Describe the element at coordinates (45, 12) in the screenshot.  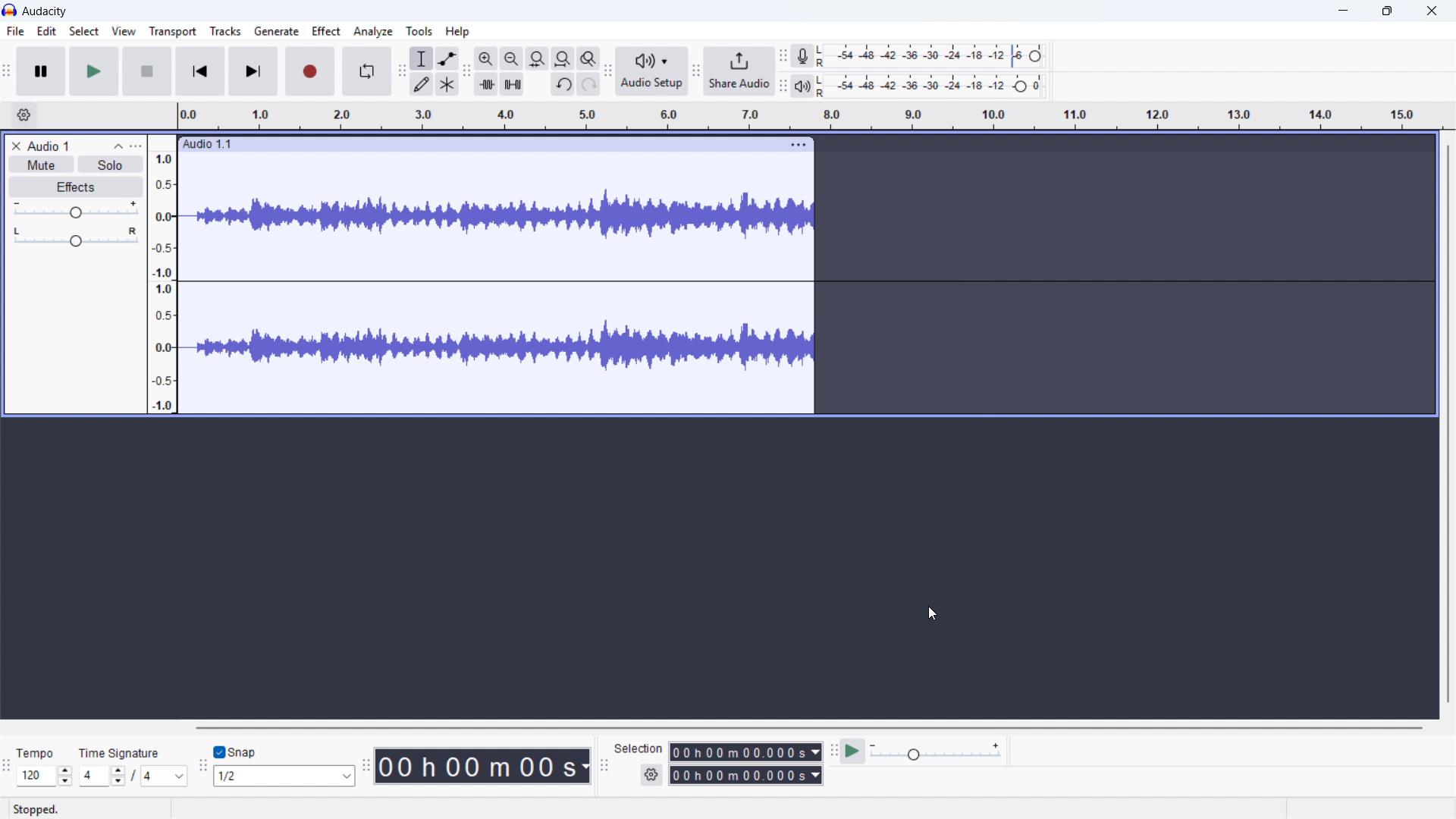
I see `title ` at that location.